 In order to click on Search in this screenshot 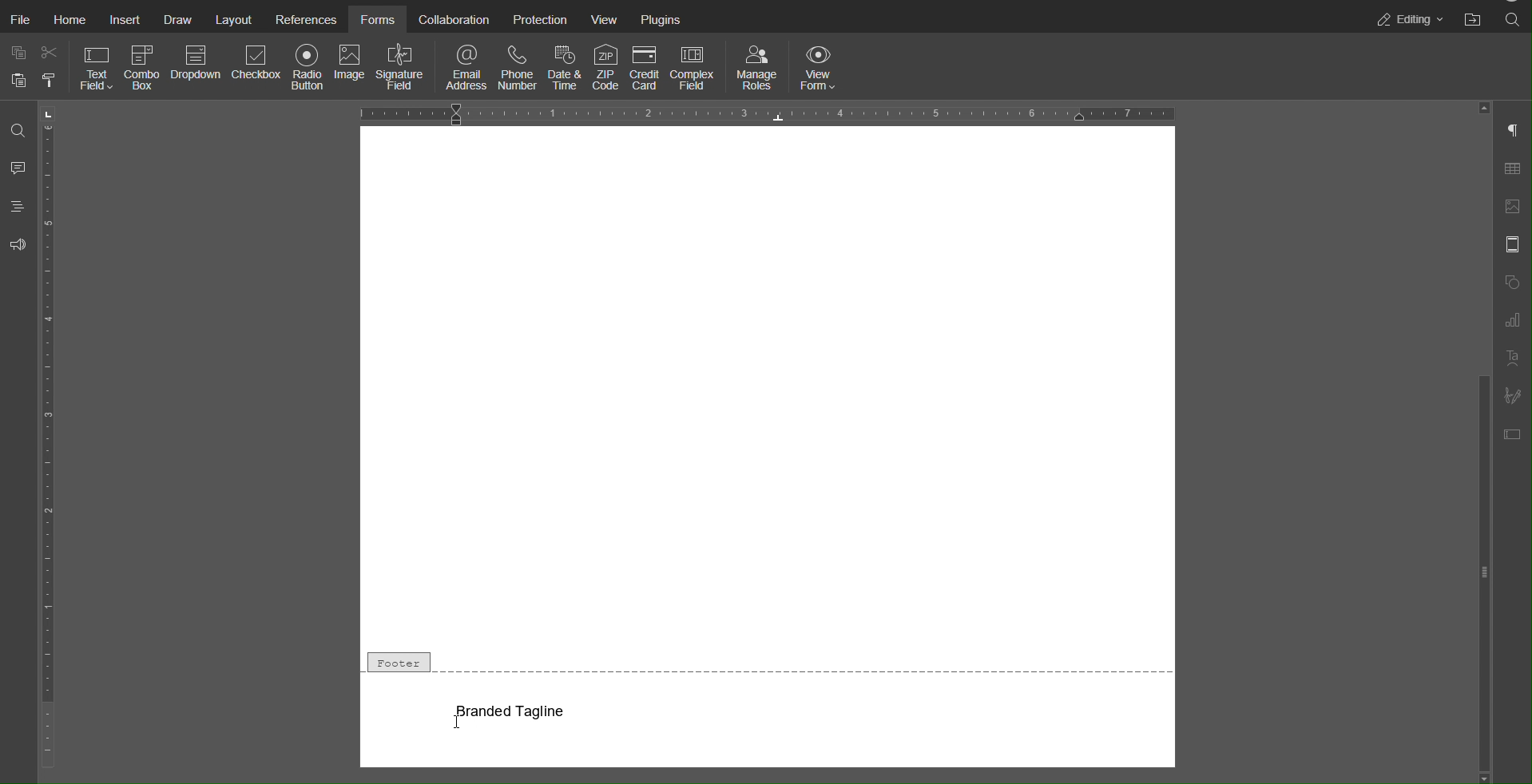, I will do `click(16, 133)`.